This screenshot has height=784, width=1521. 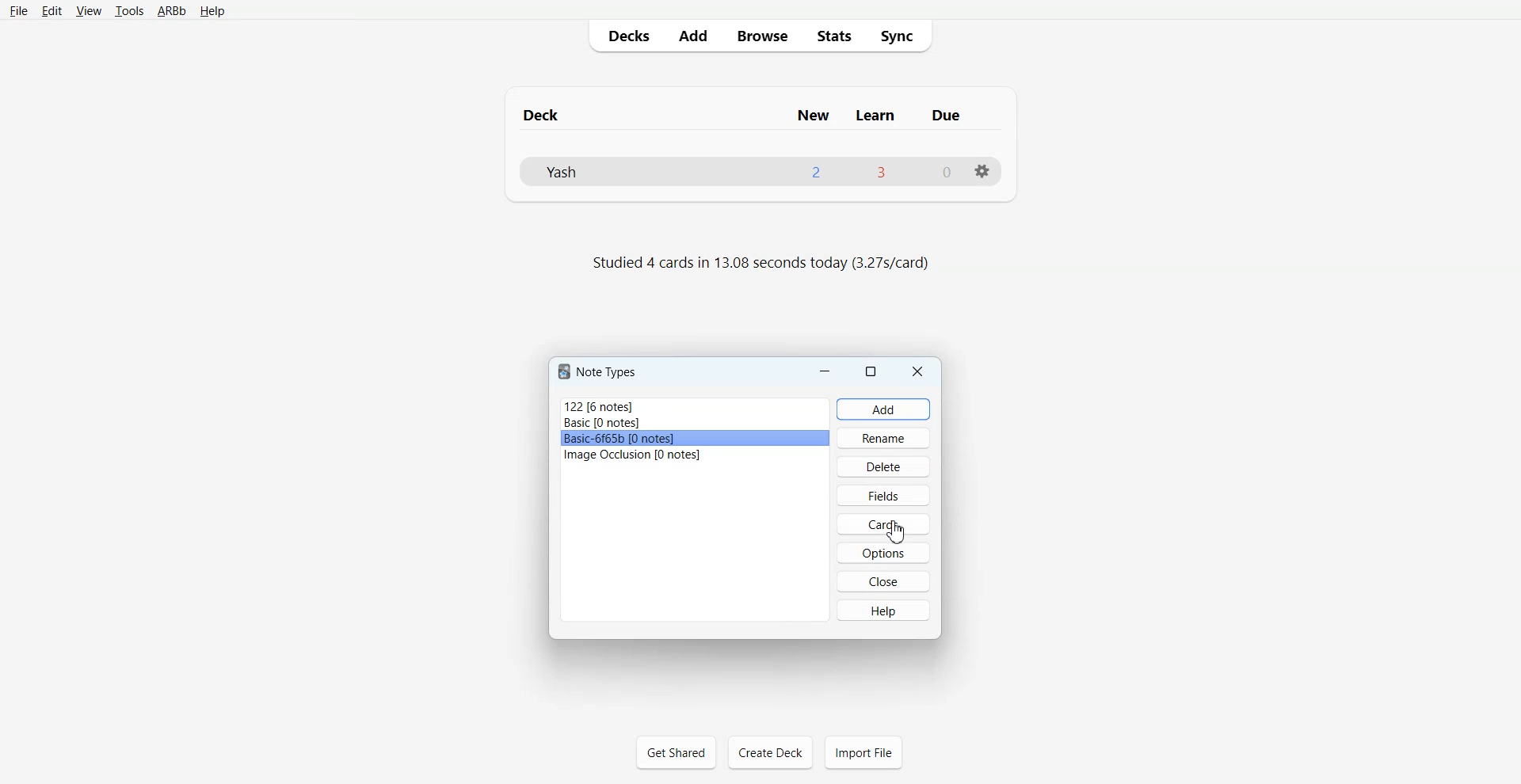 I want to click on Text, so click(x=760, y=108).